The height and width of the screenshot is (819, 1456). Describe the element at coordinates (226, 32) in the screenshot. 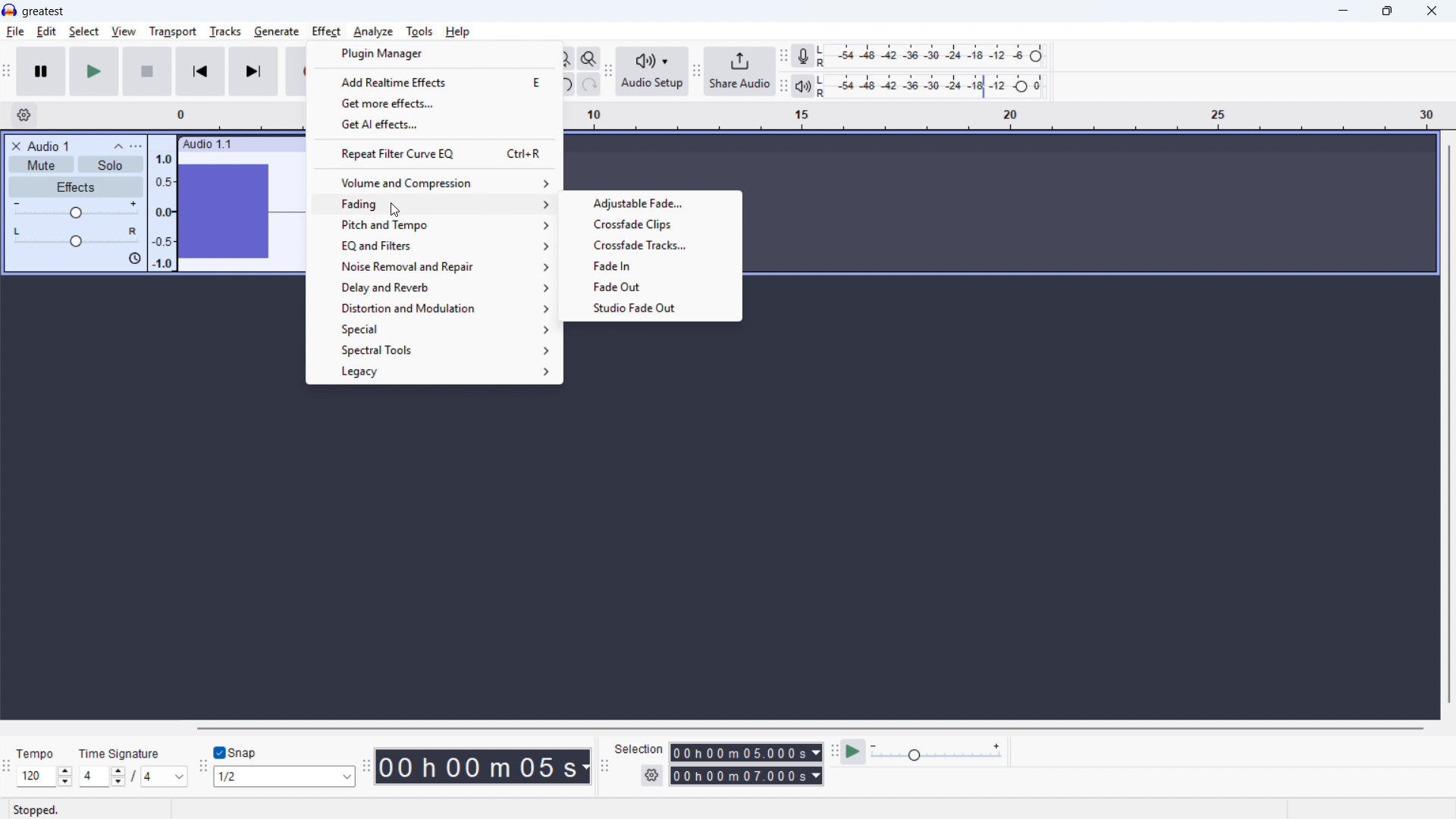

I see `tracks` at that location.